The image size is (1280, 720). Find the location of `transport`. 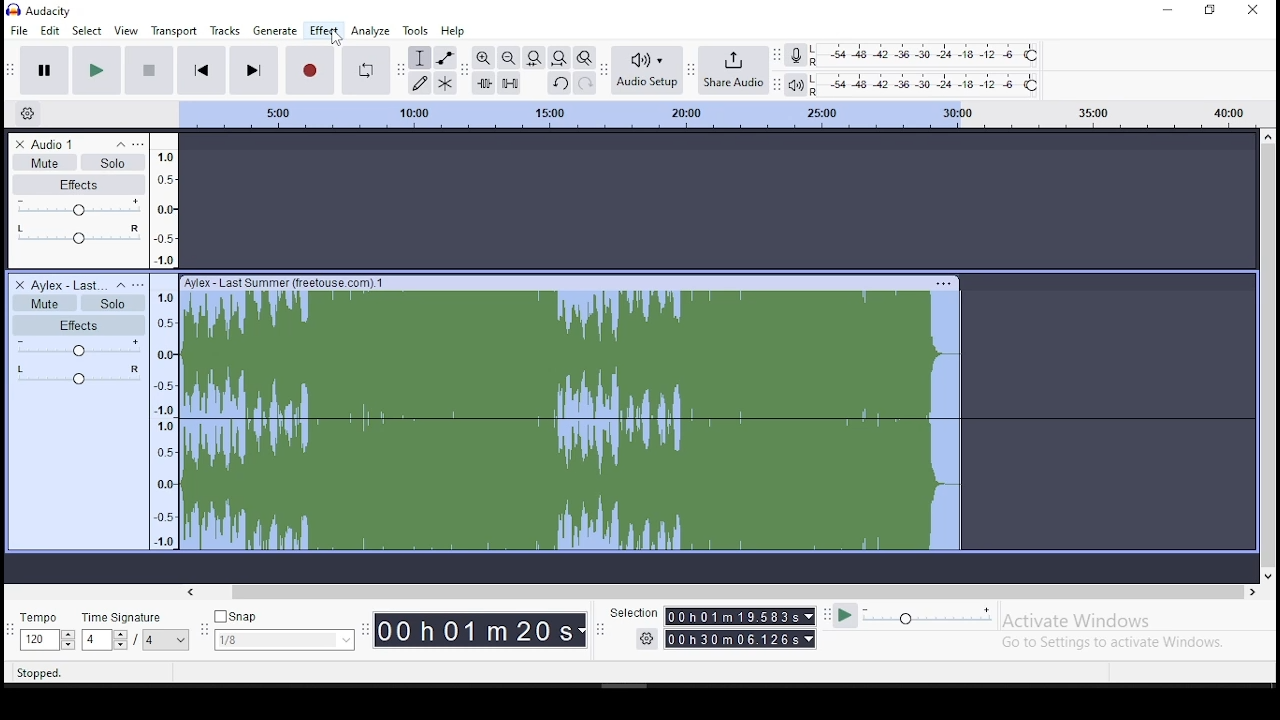

transport is located at coordinates (178, 29).